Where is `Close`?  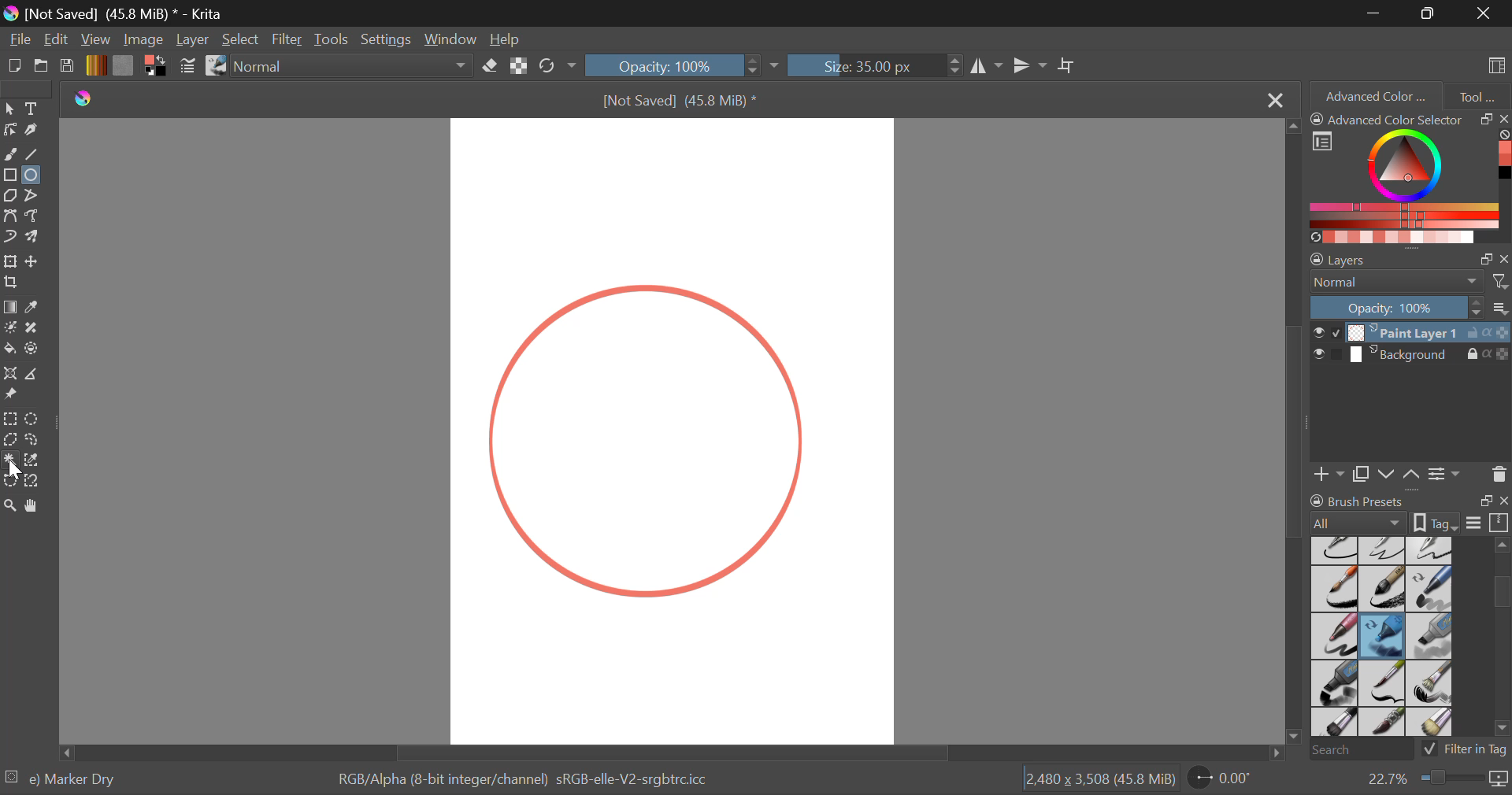 Close is located at coordinates (1484, 13).